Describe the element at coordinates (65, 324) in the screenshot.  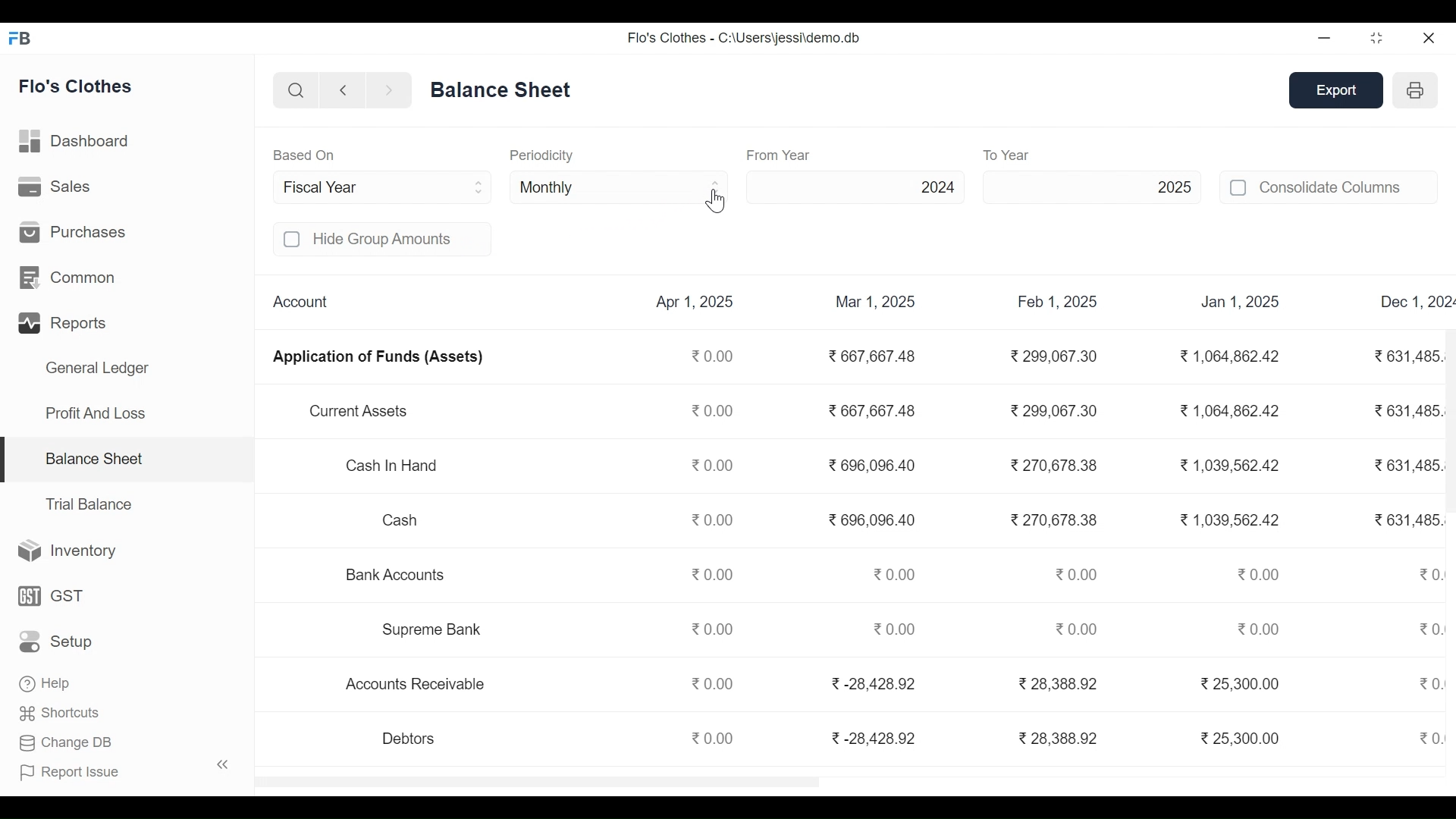
I see `reports` at that location.